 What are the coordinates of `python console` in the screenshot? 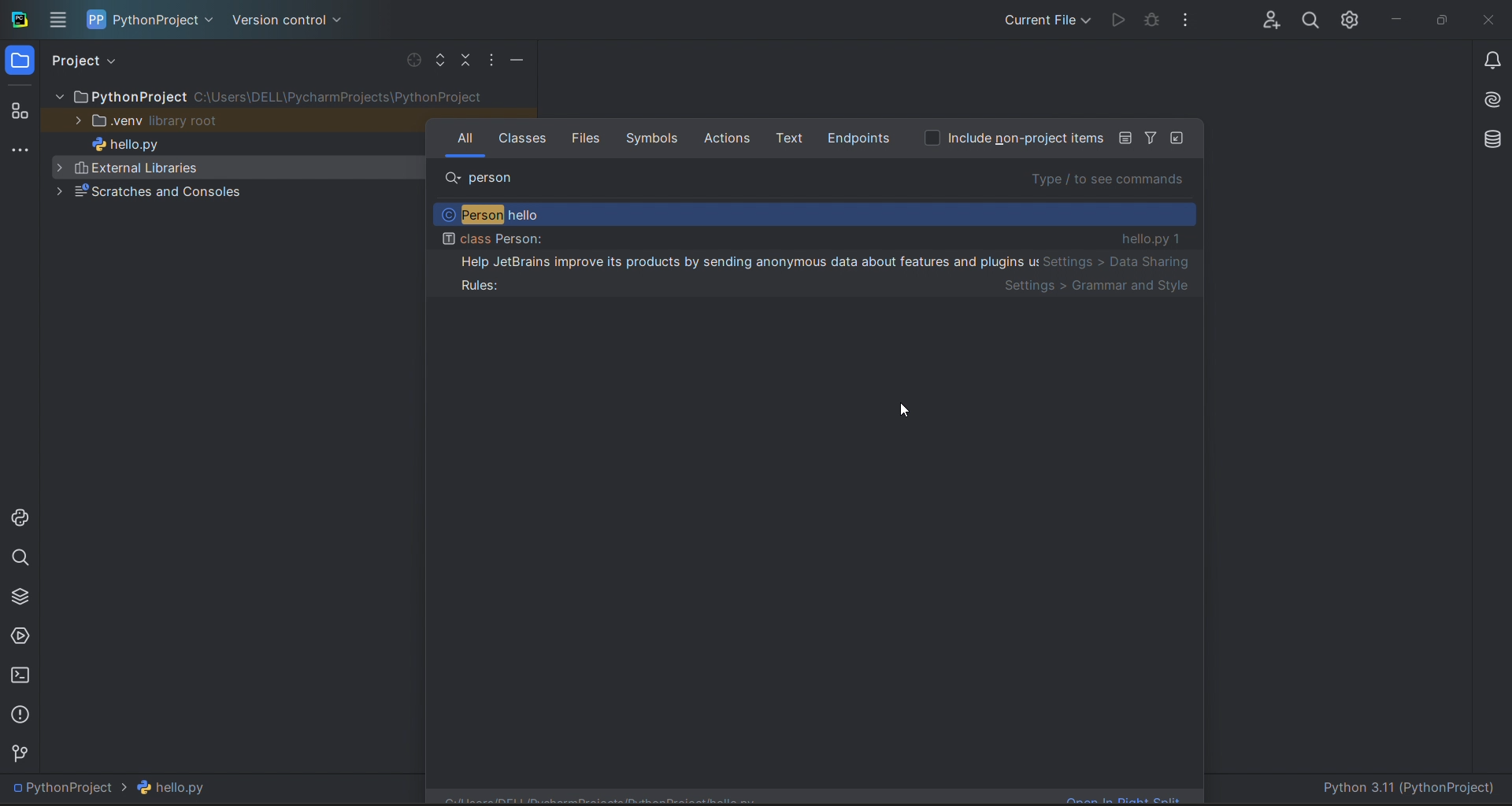 It's located at (20, 518).